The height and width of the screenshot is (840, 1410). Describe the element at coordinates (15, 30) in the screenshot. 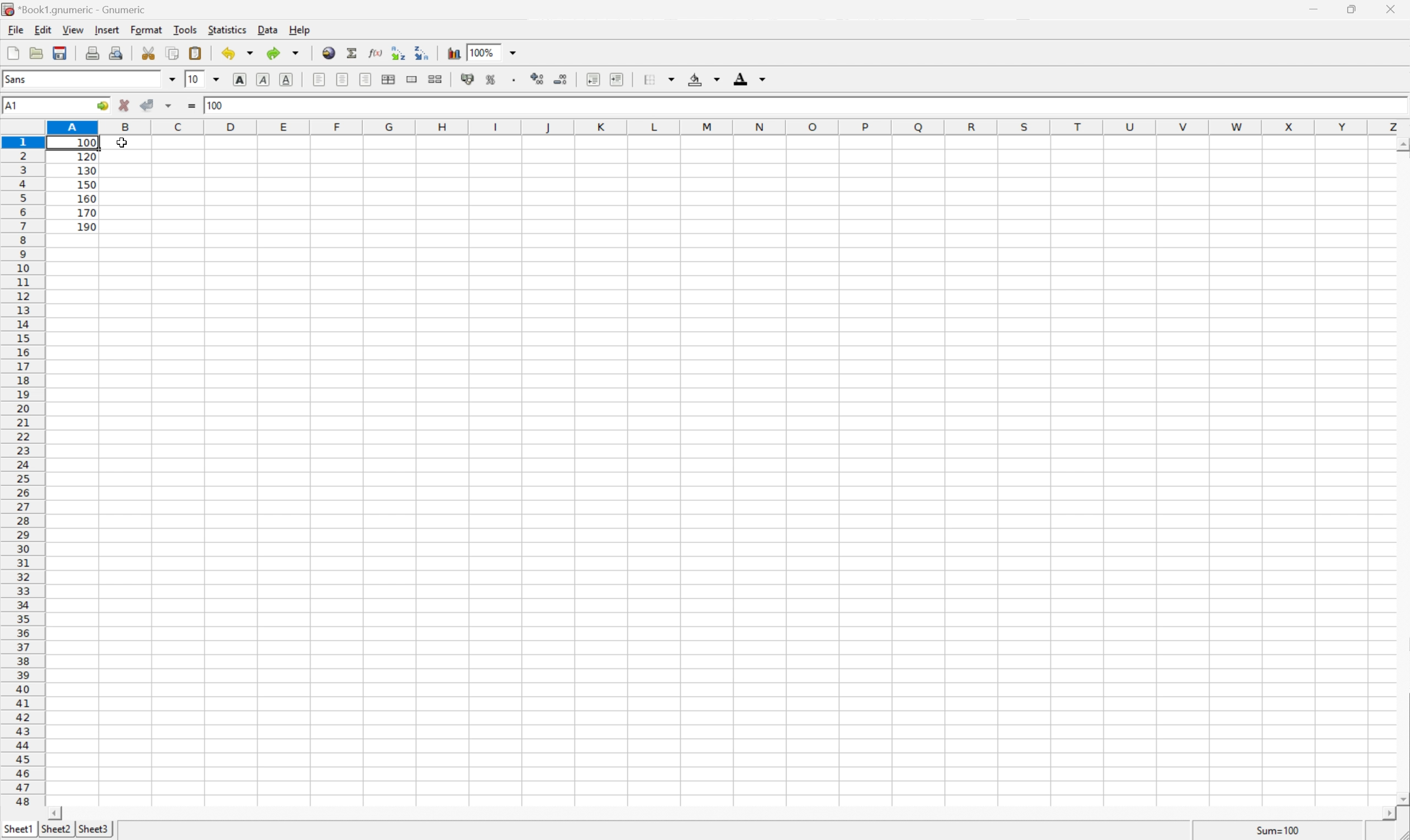

I see `File` at that location.